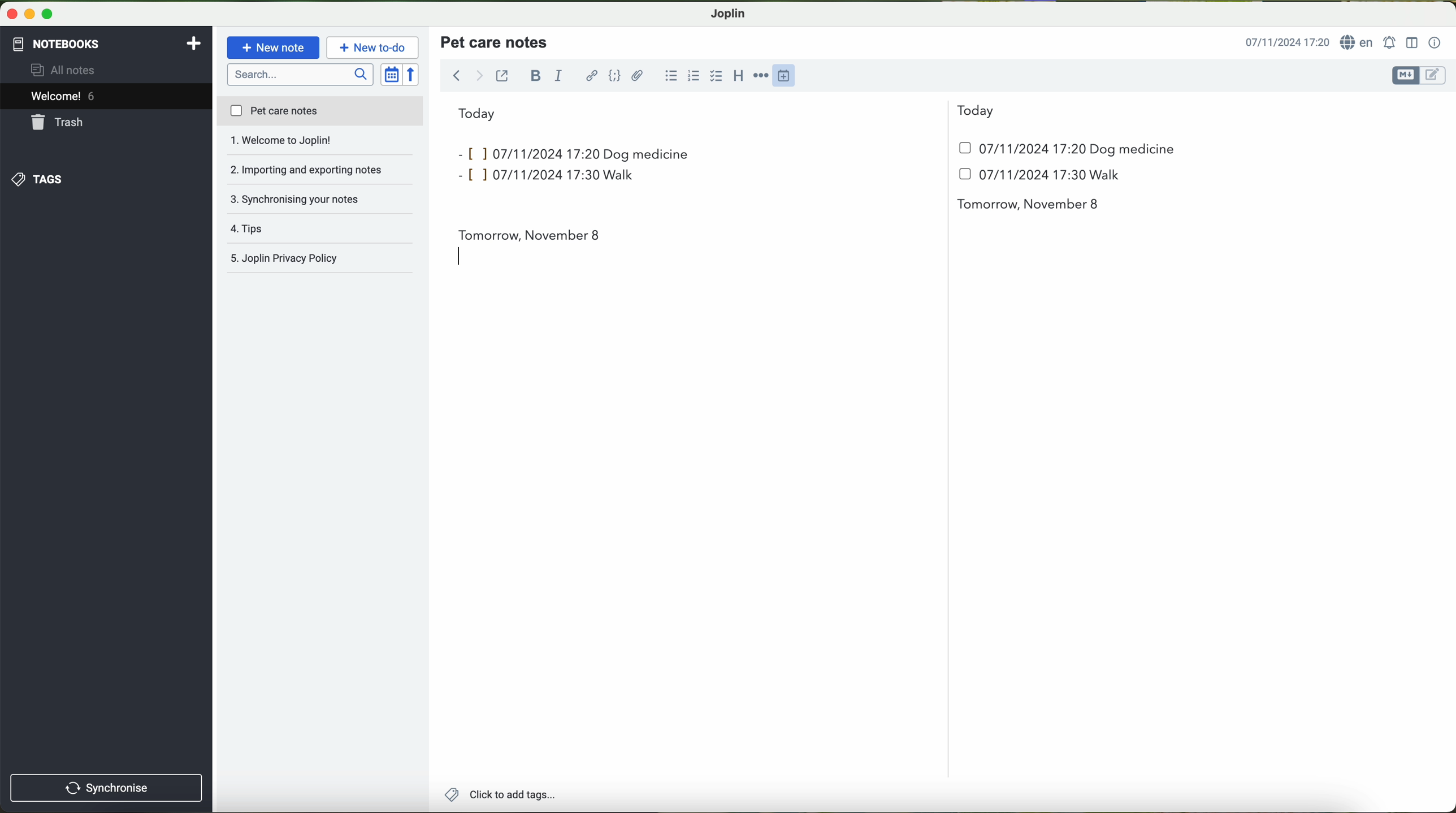 This screenshot has width=1456, height=813. I want to click on trash, so click(58, 124).